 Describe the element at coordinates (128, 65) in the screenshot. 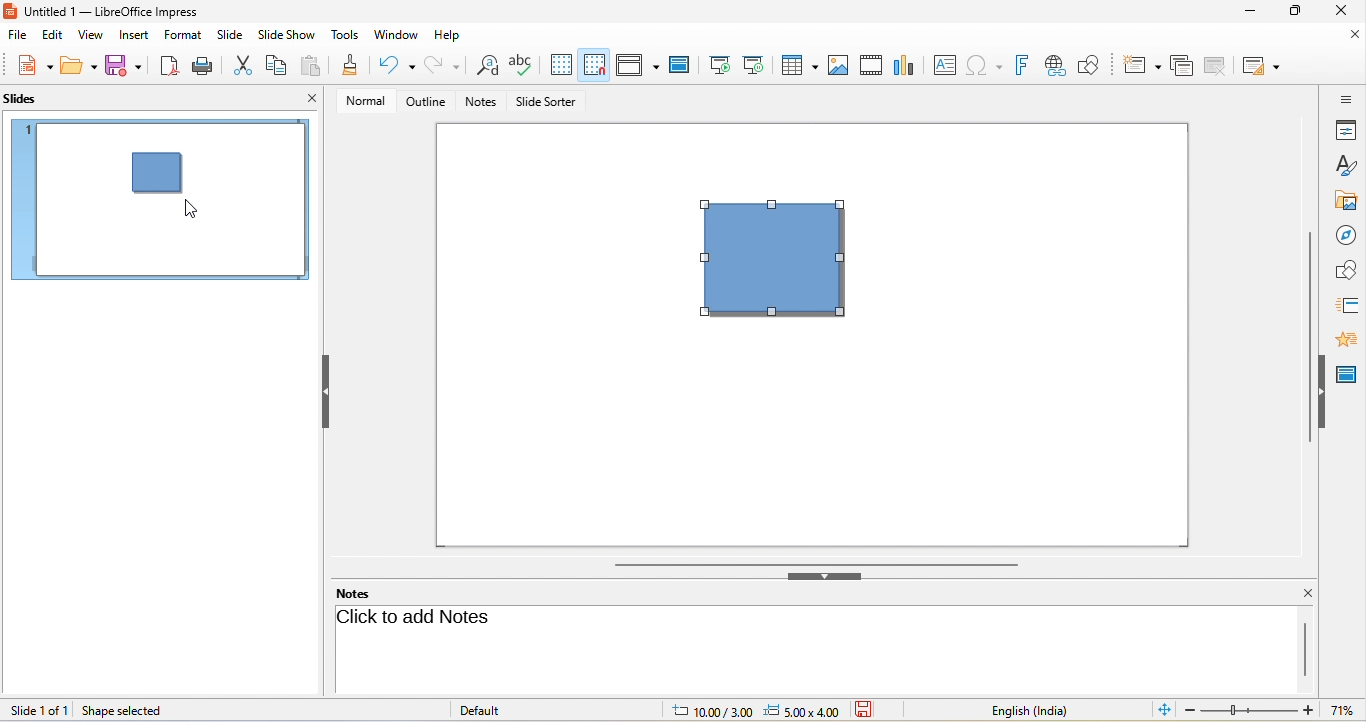

I see `save` at that location.